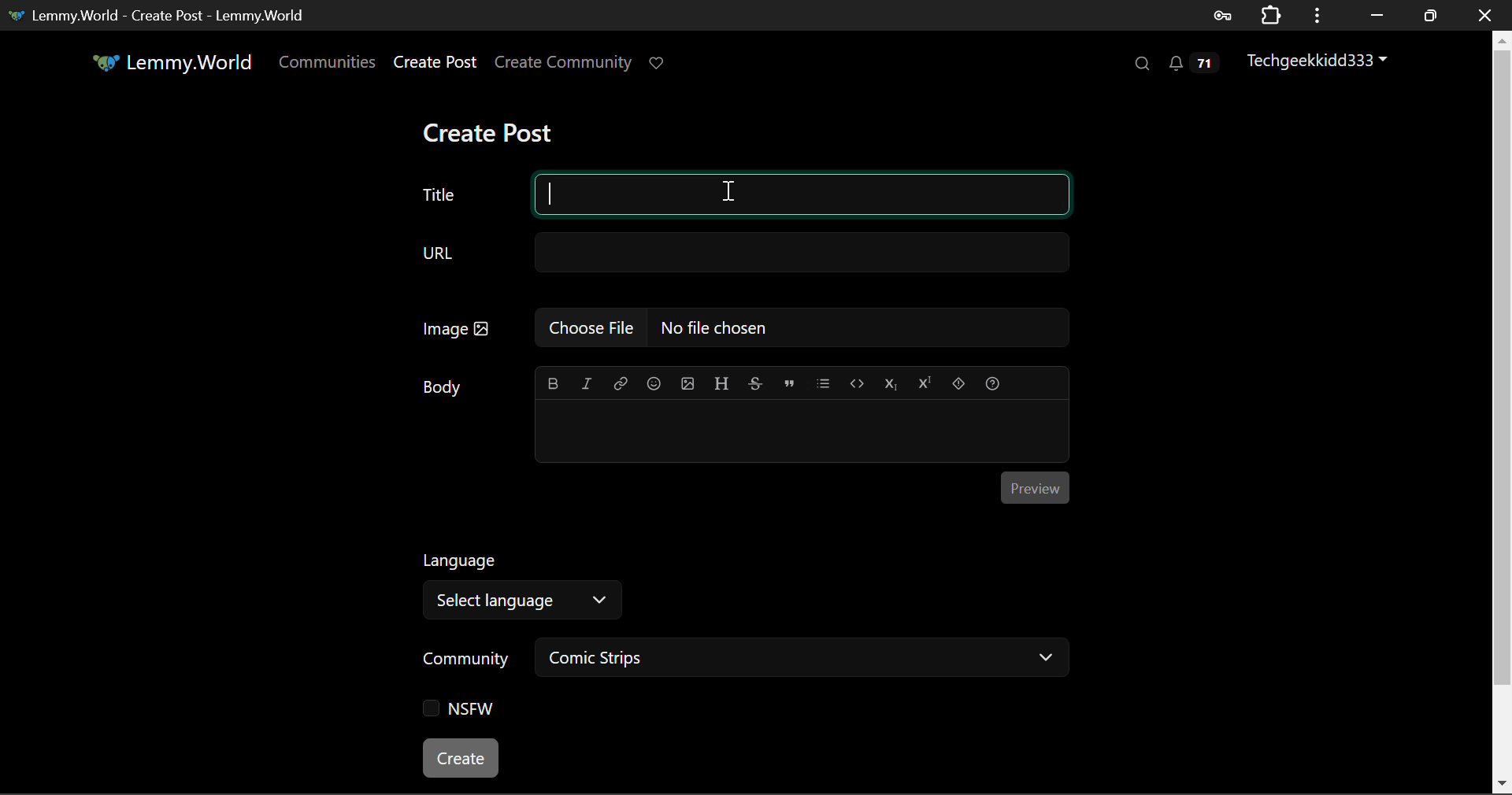 The image size is (1512, 795). I want to click on Create, so click(461, 760).